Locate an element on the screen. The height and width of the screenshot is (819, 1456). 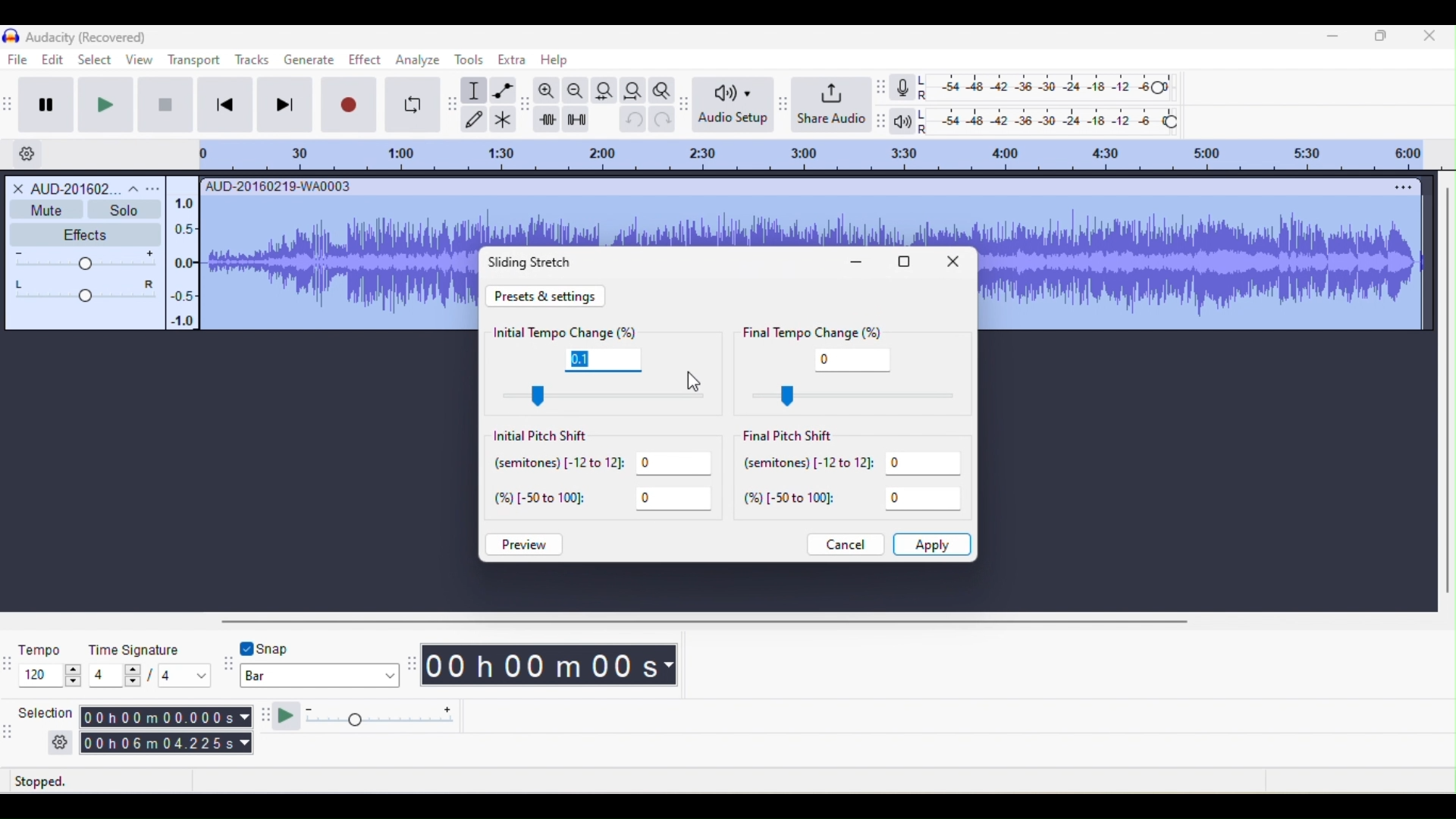
playback level is located at coordinates (1049, 119).